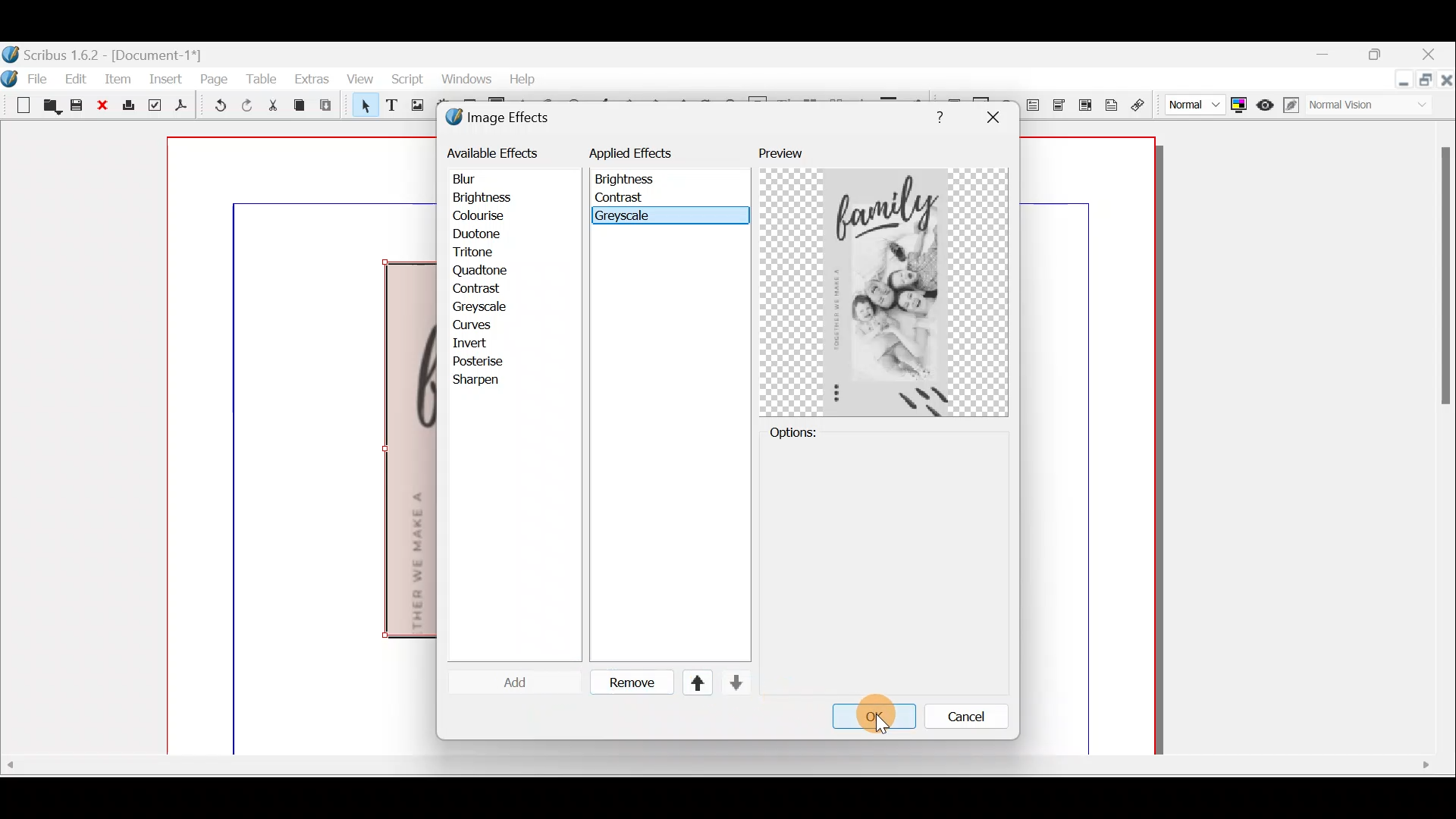 Image resolution: width=1456 pixels, height=819 pixels. I want to click on Image effects, so click(506, 118).